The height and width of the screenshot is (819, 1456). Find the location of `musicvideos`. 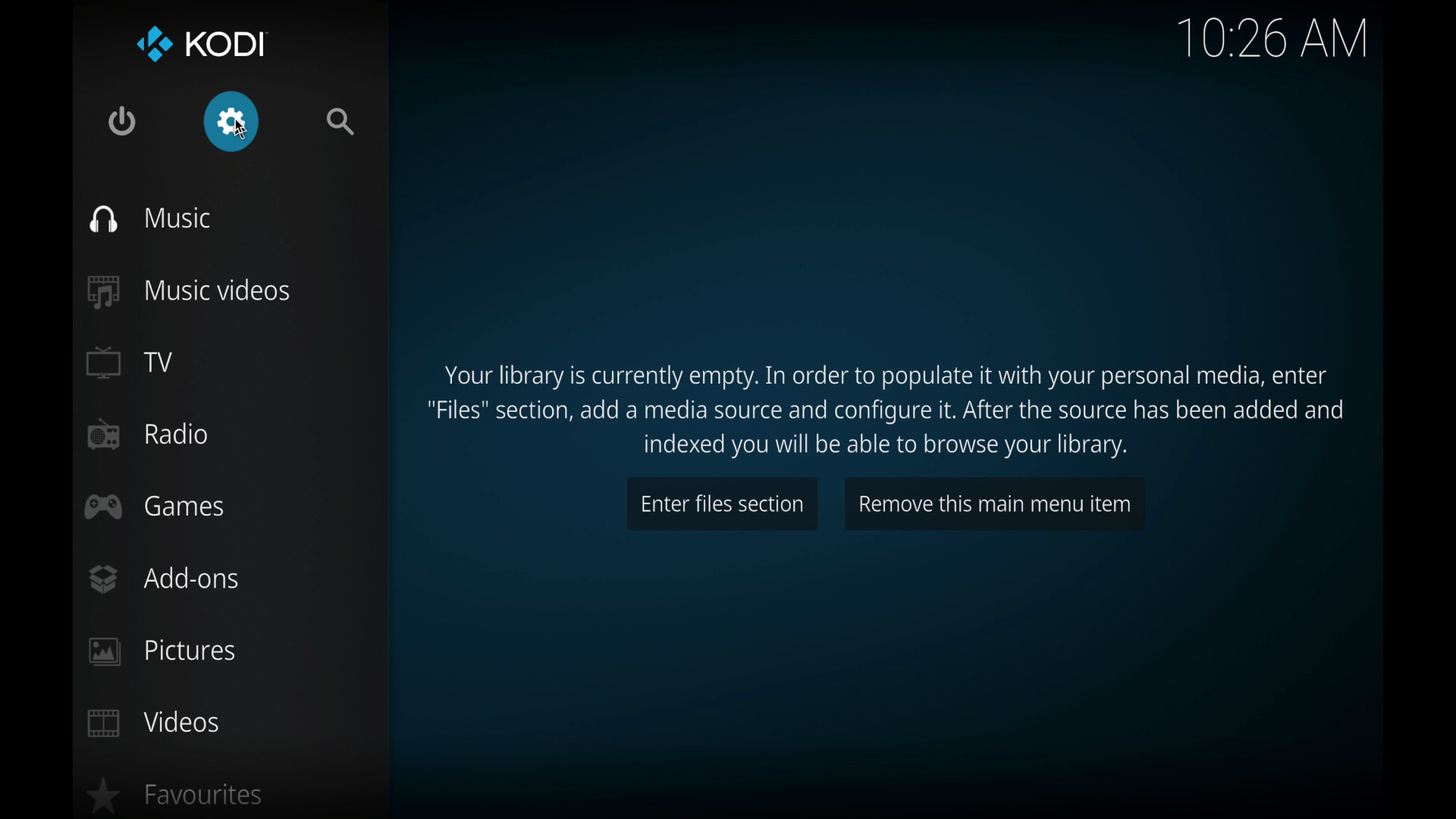

musicvideos is located at coordinates (187, 291).